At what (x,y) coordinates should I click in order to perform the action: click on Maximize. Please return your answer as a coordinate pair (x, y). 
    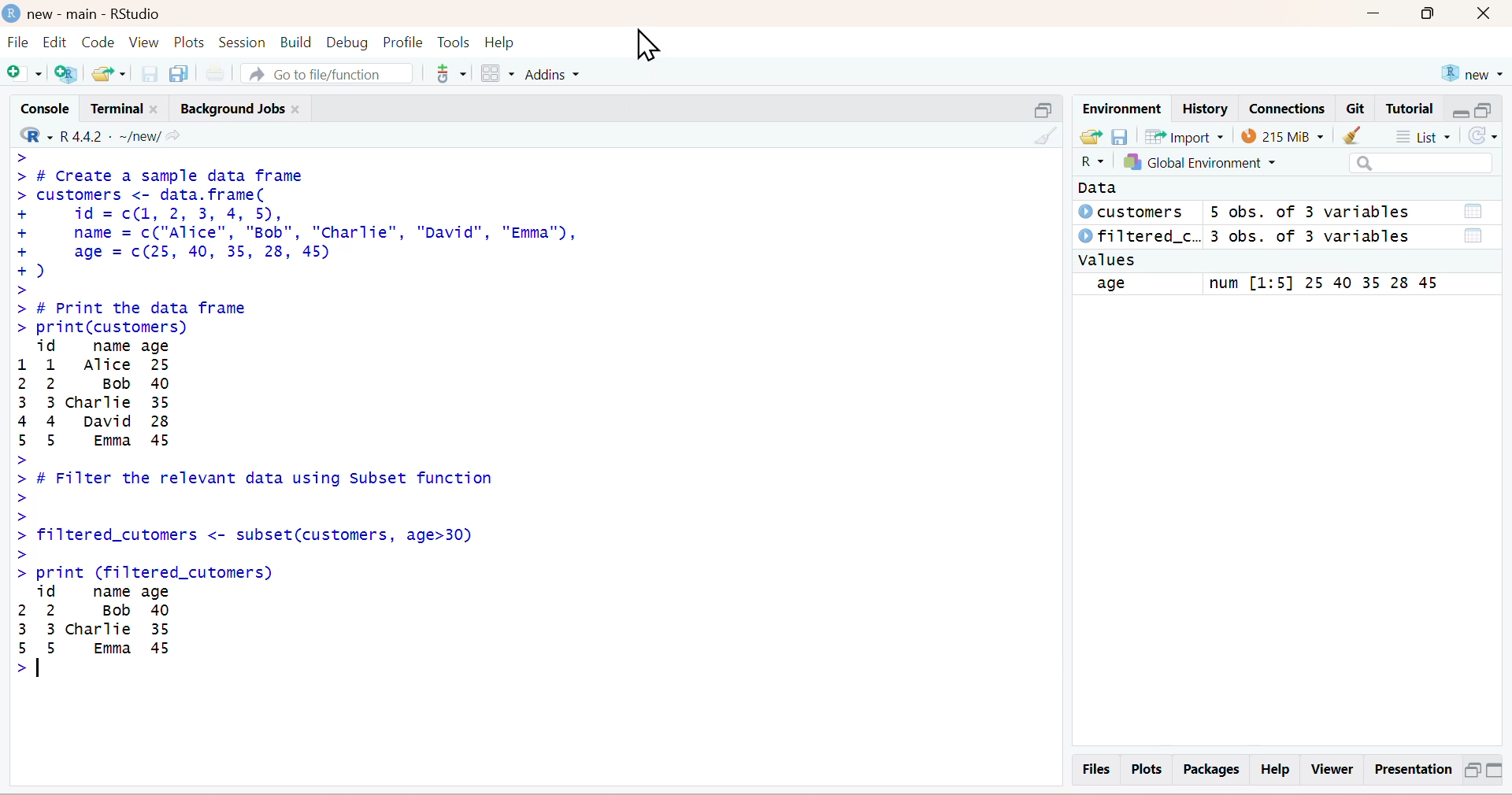
    Looking at the image, I should click on (1471, 769).